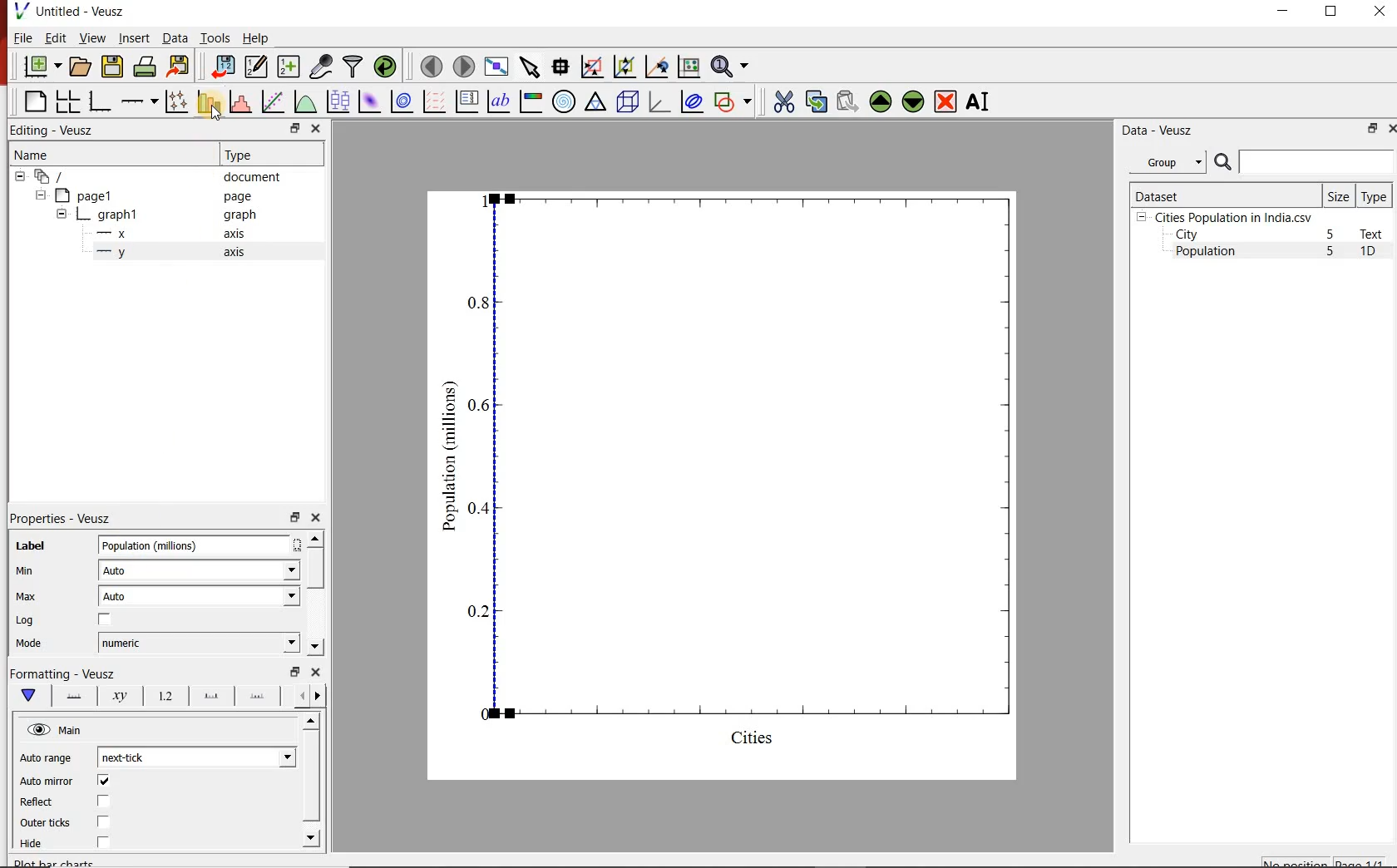  What do you see at coordinates (56, 730) in the screenshot?
I see `Main` at bounding box center [56, 730].